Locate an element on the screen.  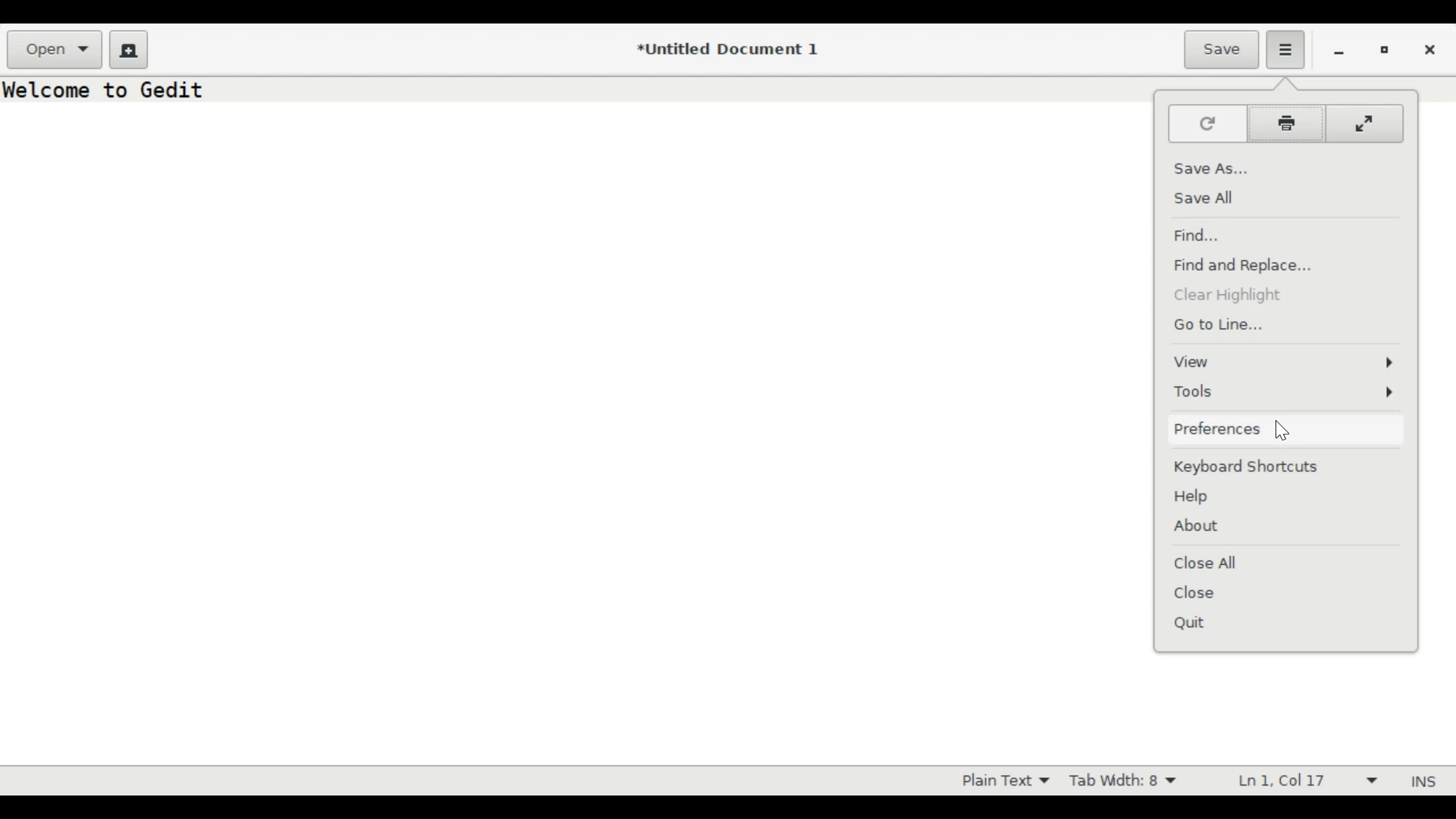
Print is located at coordinates (1285, 124).